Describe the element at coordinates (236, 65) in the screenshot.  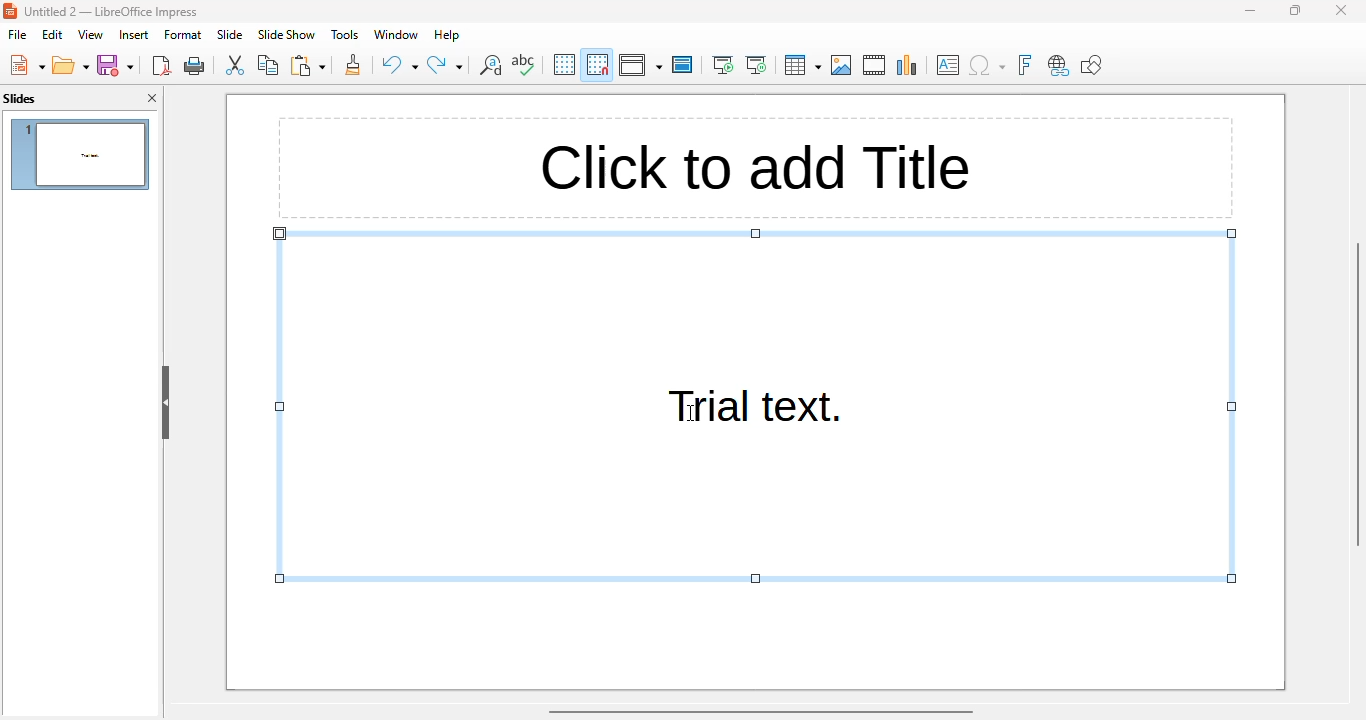
I see `cut` at that location.